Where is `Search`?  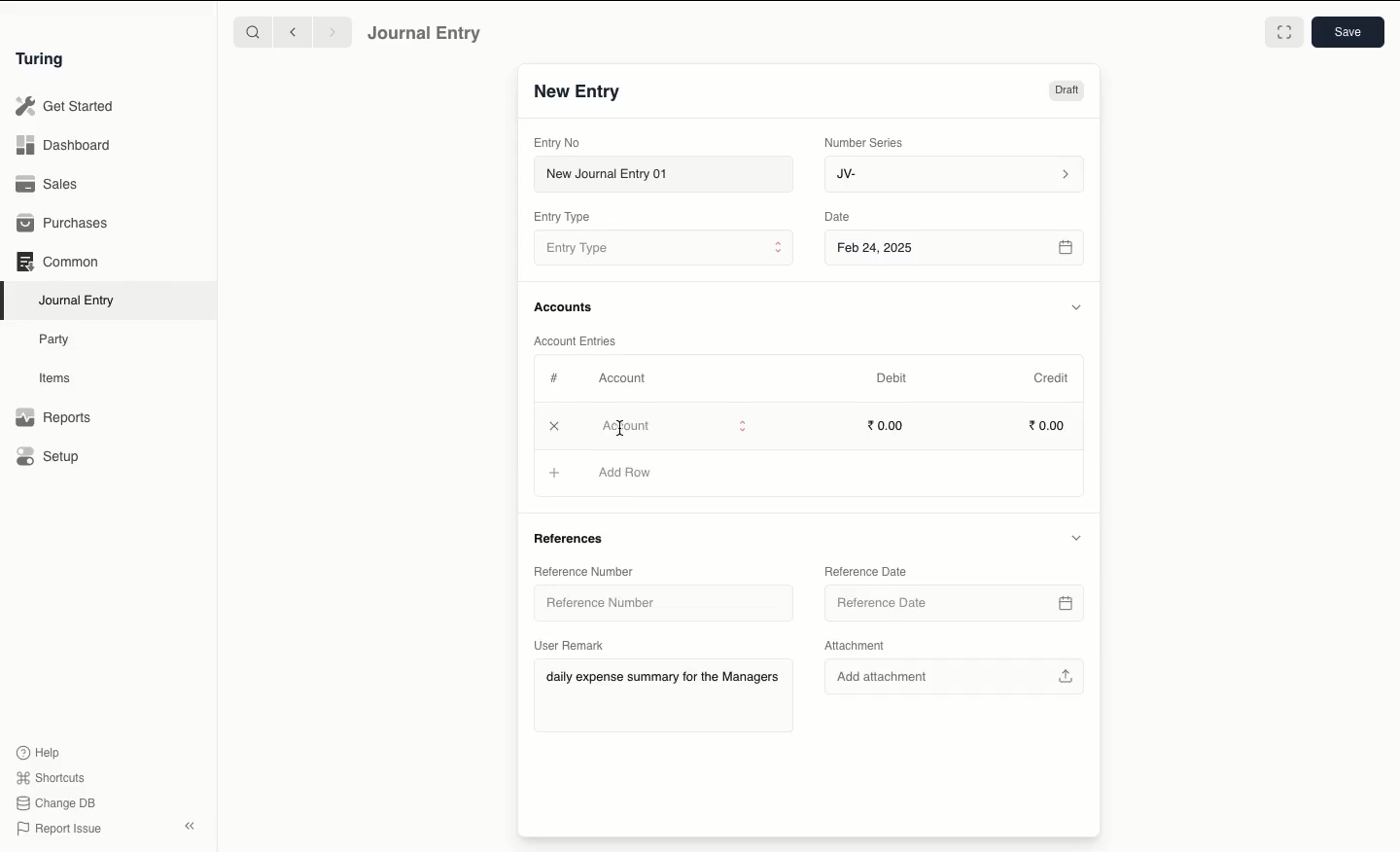
Search is located at coordinates (252, 31).